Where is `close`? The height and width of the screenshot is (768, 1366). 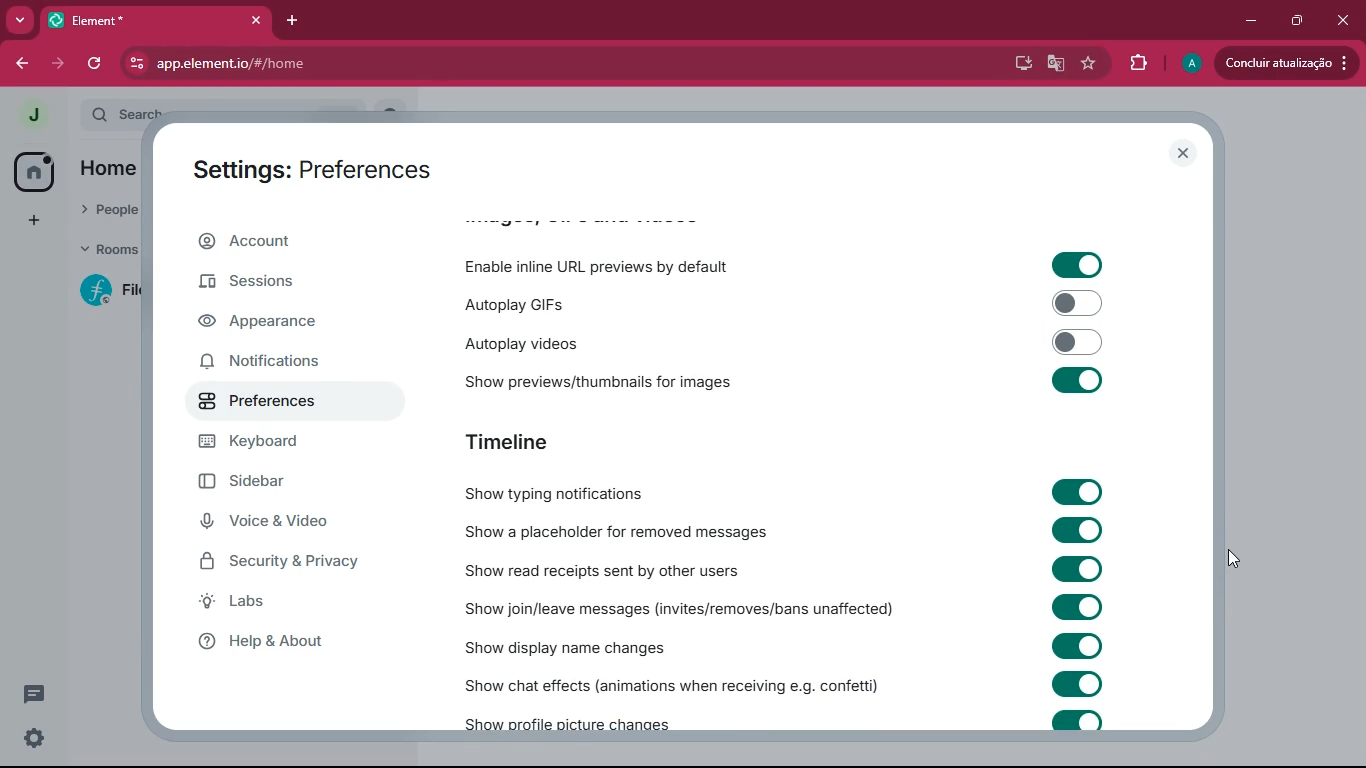
close is located at coordinates (1184, 153).